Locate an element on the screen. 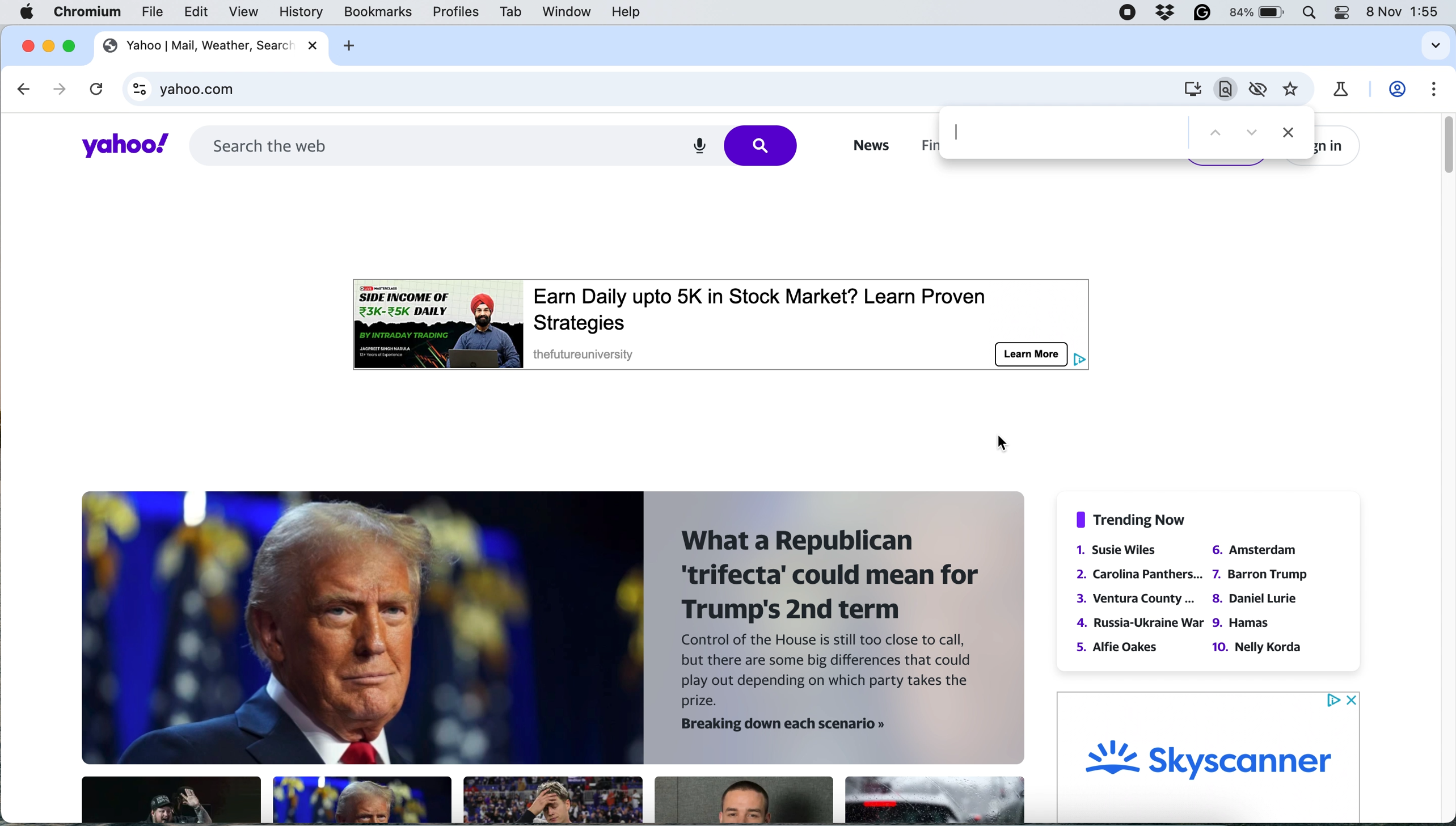  ad is located at coordinates (728, 320).